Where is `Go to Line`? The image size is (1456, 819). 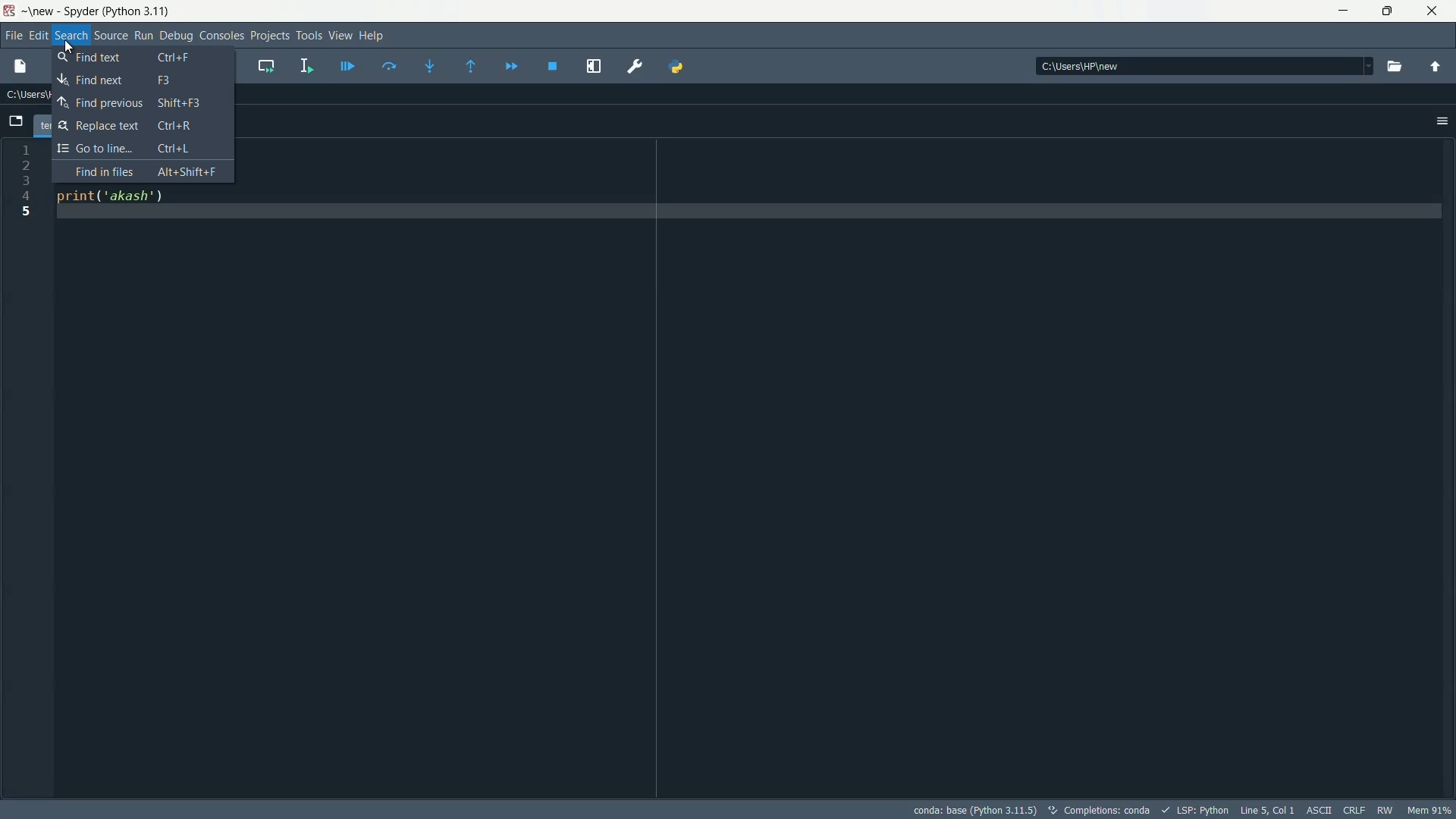 Go to Line is located at coordinates (142, 147).